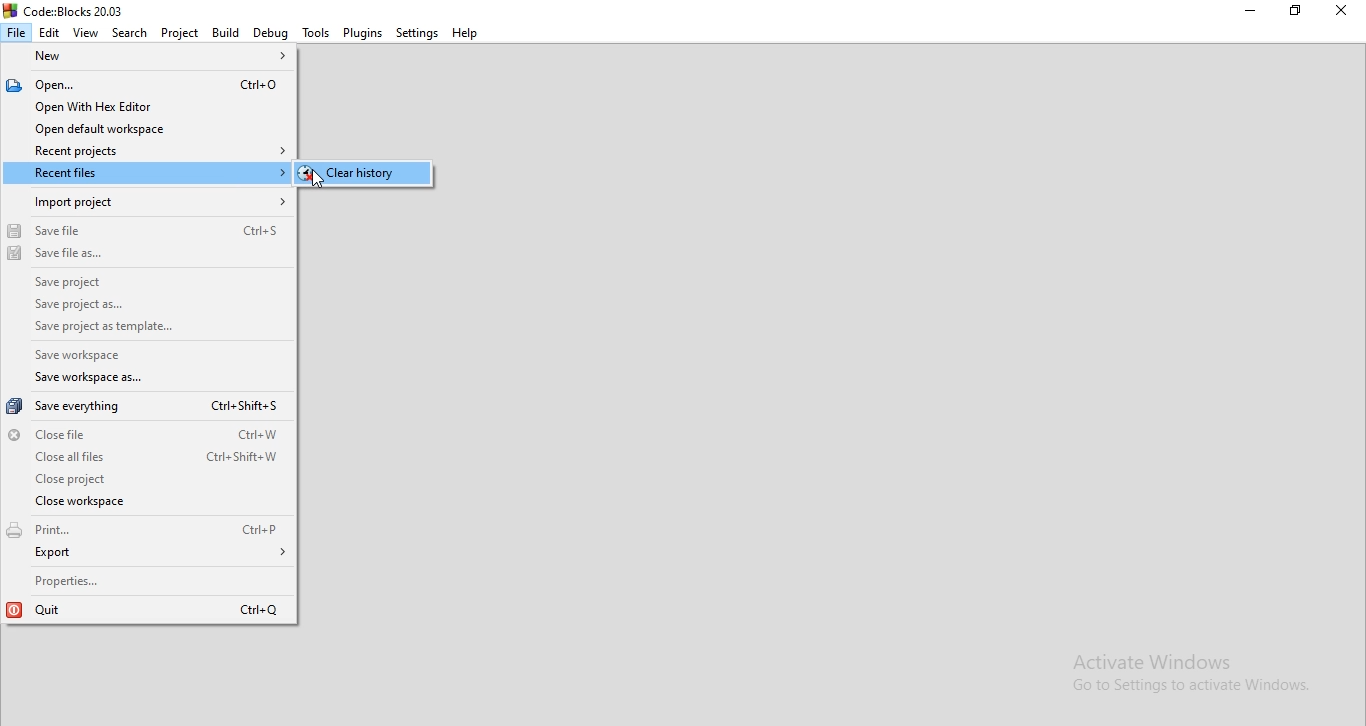 This screenshot has height=726, width=1366. Describe the element at coordinates (152, 287) in the screenshot. I see `Save Project` at that location.